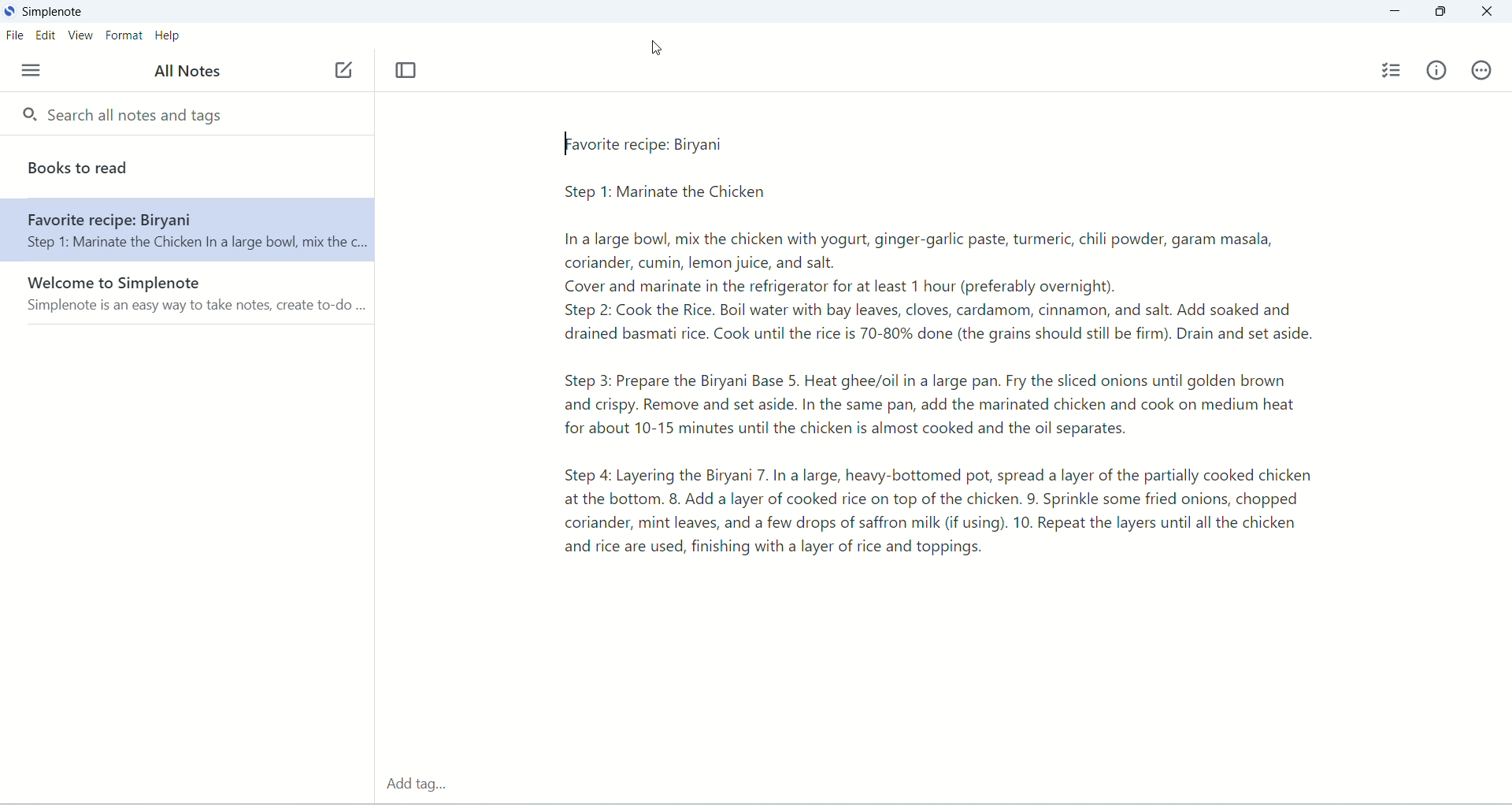 This screenshot has width=1512, height=805. I want to click on new note, so click(343, 69).